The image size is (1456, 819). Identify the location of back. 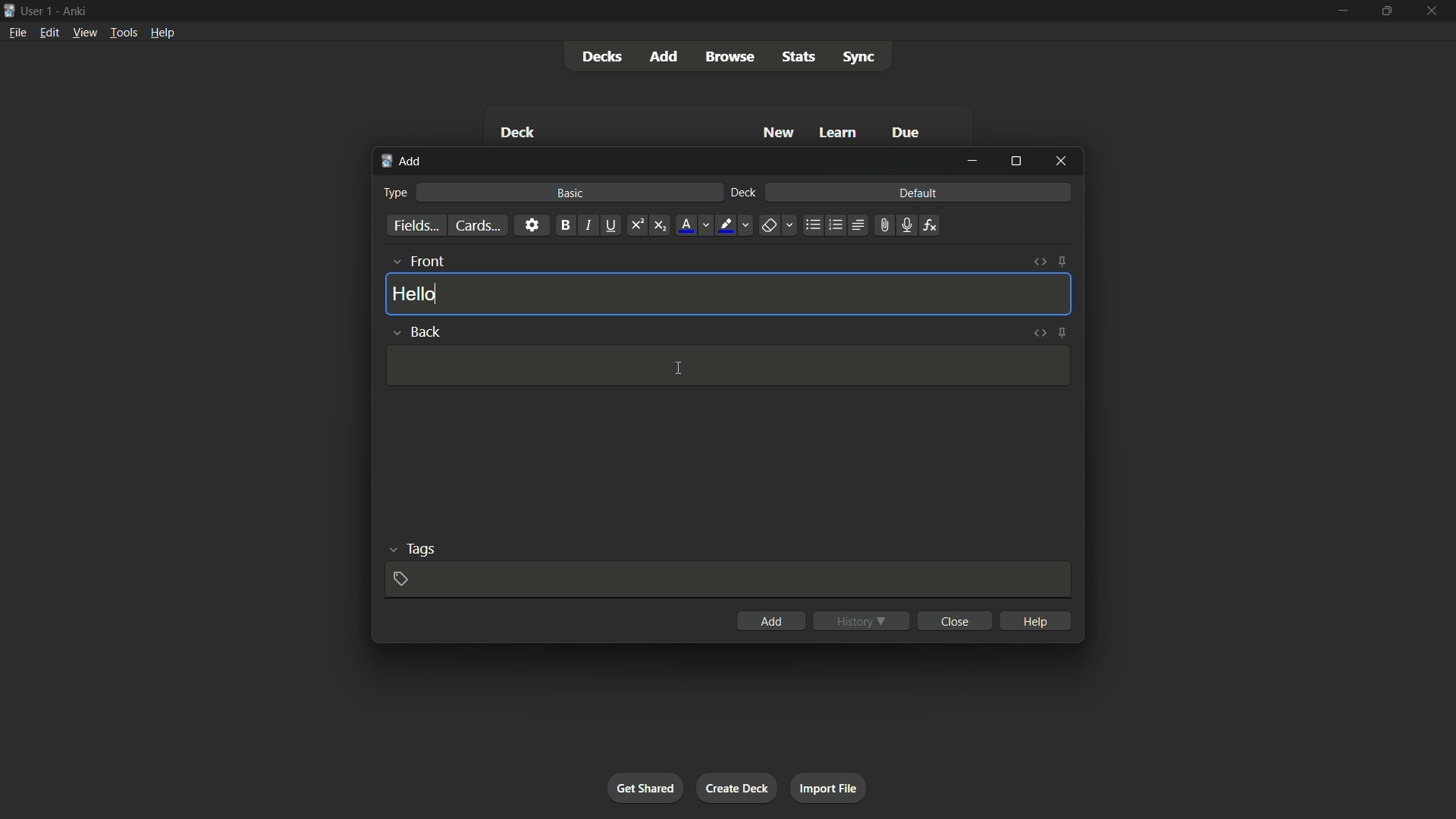
(415, 330).